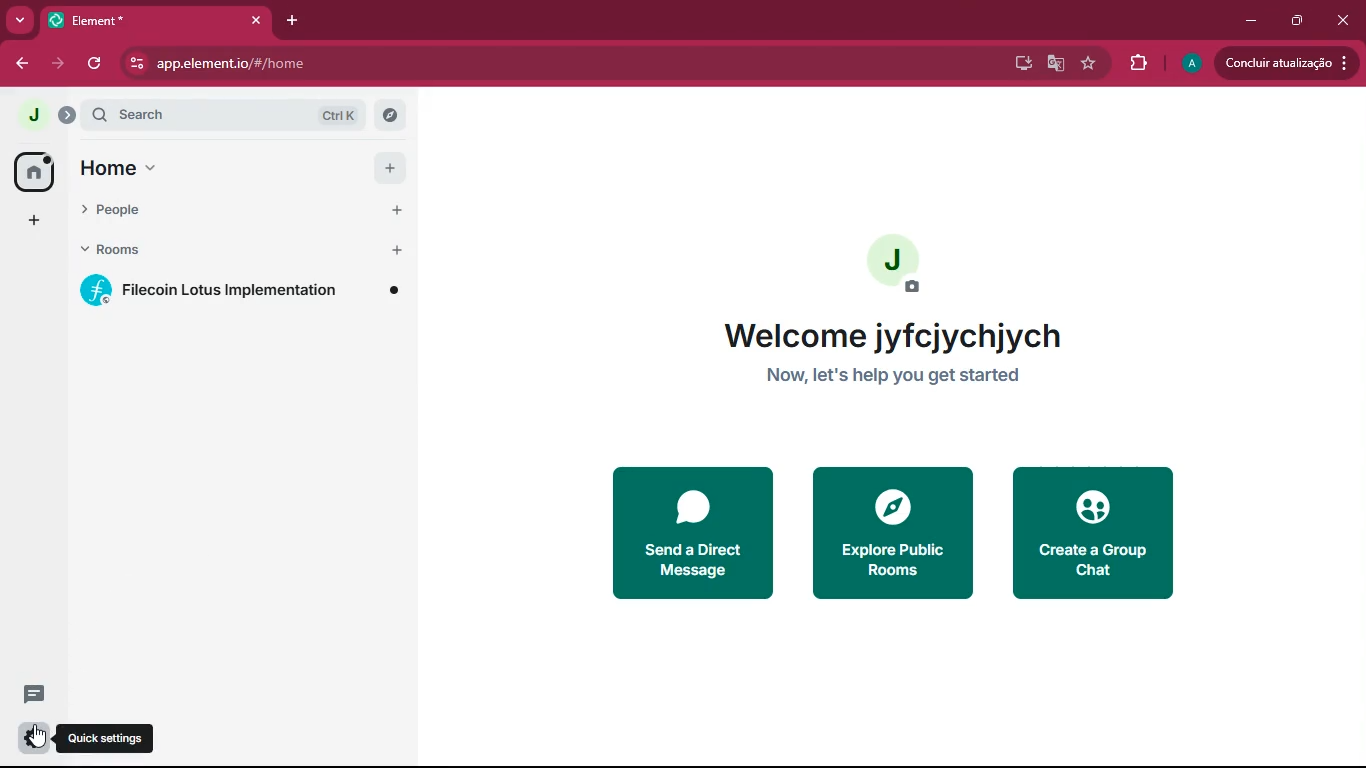  I want to click on rooms, so click(242, 250).